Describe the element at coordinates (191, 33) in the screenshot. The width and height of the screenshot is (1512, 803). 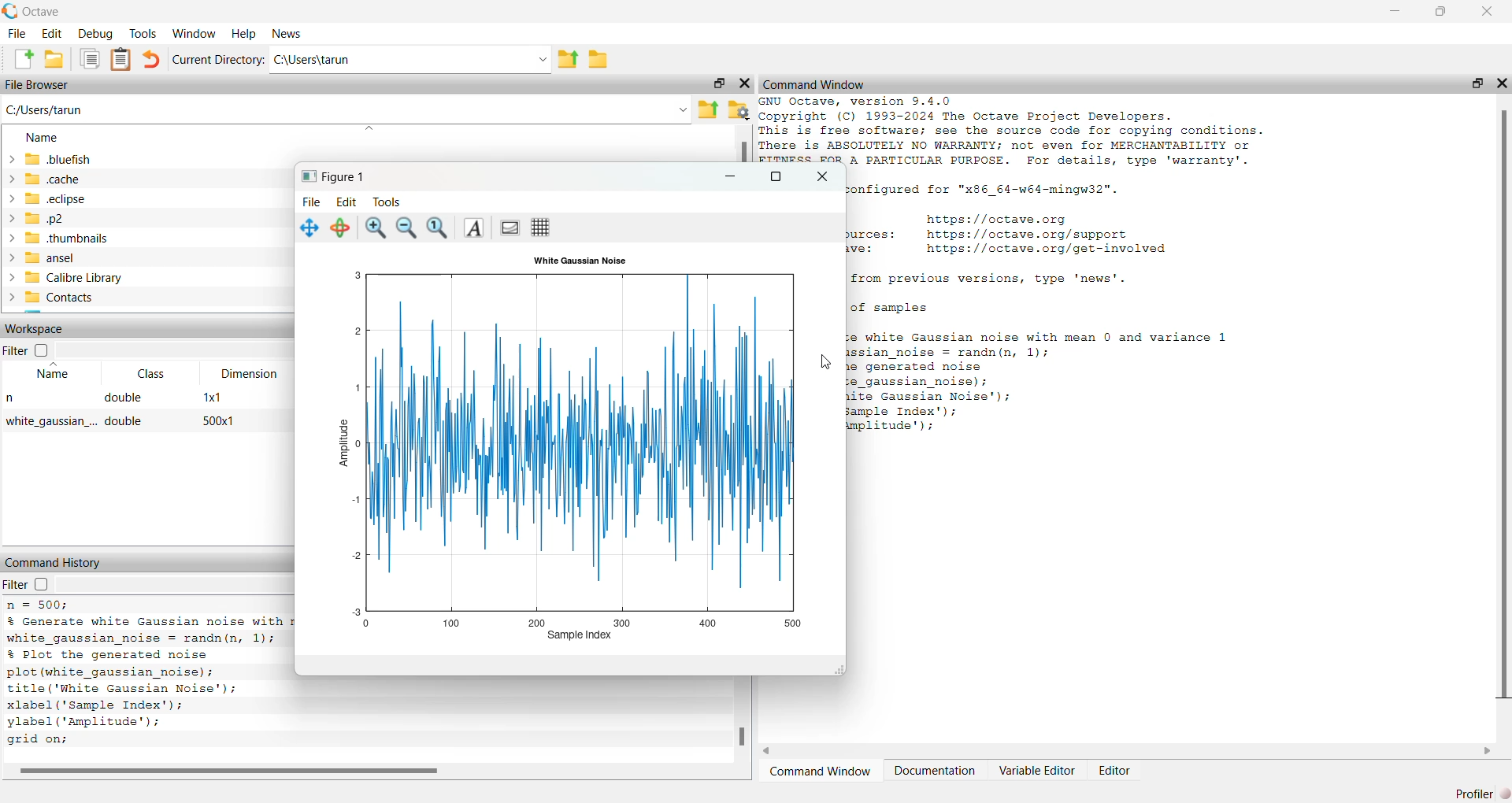
I see `‘Window` at that location.